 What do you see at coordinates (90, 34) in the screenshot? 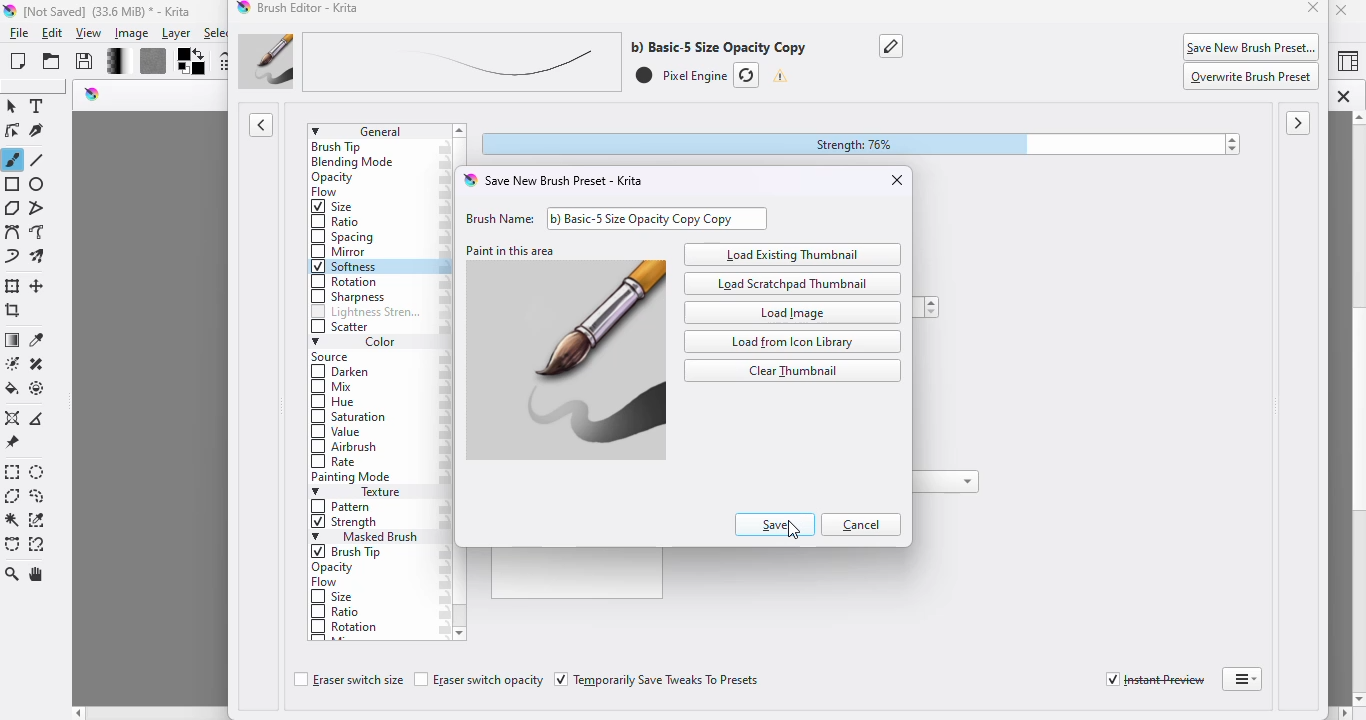
I see `view` at bounding box center [90, 34].